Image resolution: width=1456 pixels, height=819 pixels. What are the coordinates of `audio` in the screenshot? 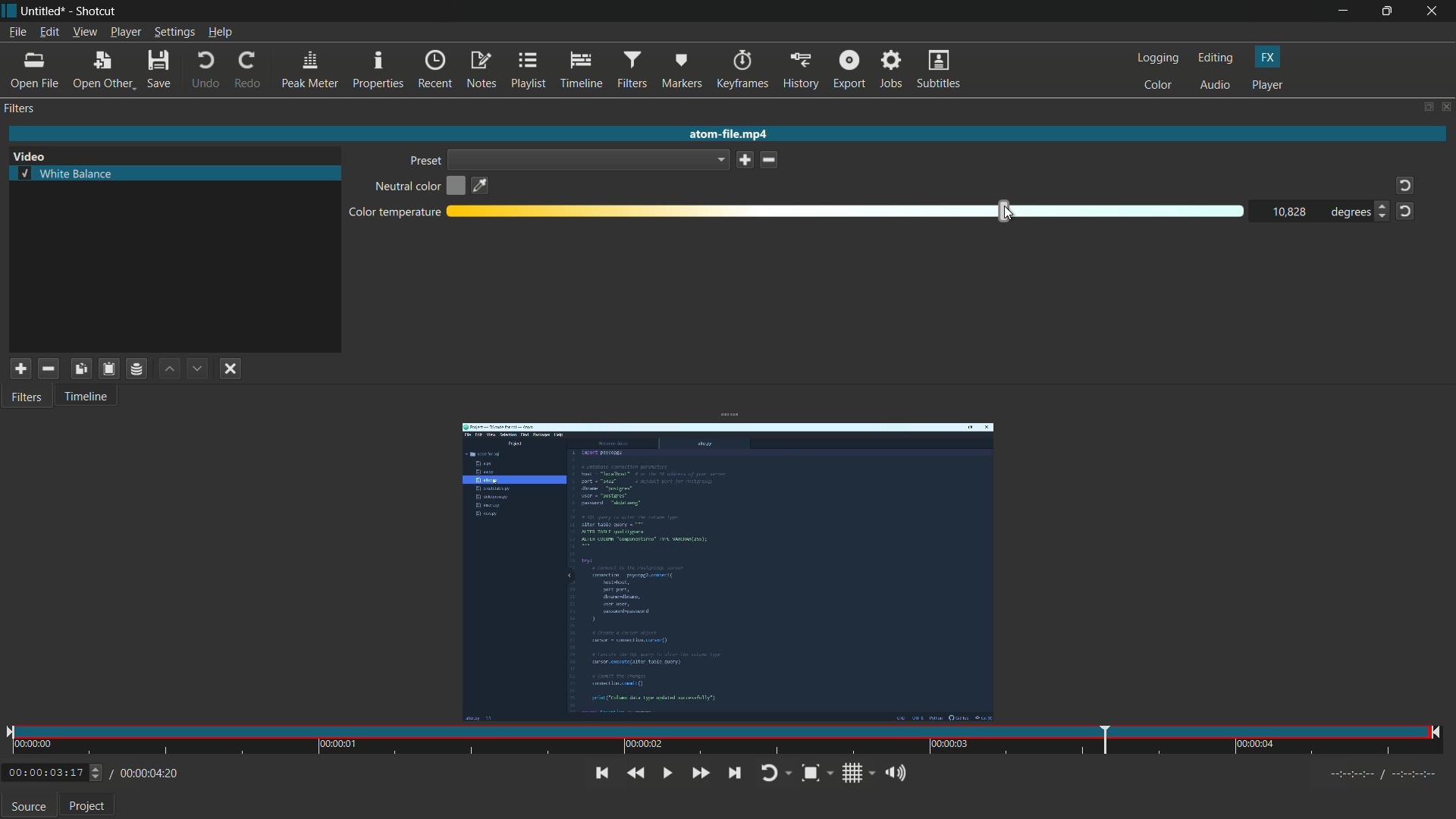 It's located at (1214, 86).